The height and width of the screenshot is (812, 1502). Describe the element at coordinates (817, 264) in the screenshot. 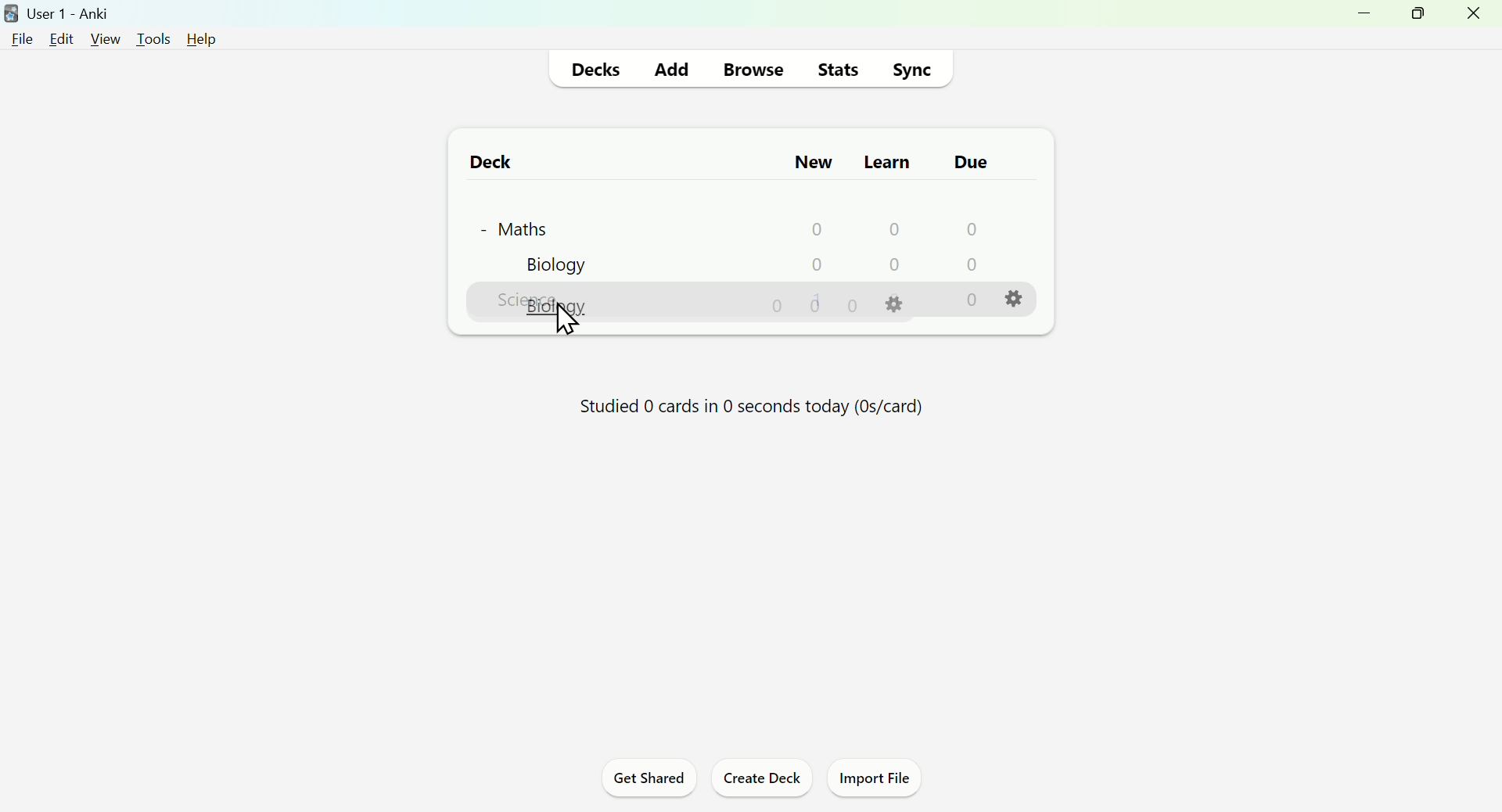

I see `0` at that location.